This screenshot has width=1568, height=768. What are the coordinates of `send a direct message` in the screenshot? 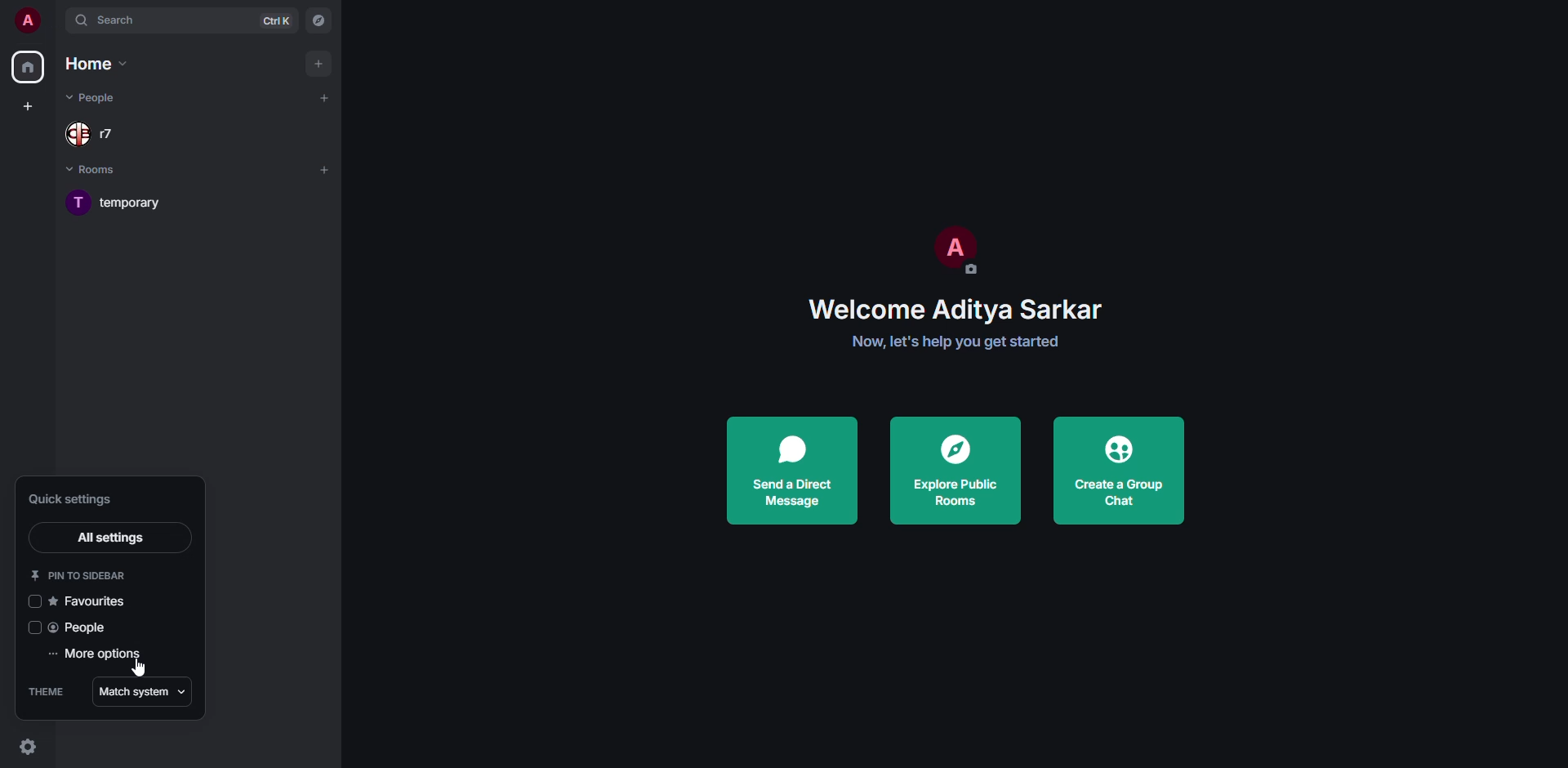 It's located at (790, 470).